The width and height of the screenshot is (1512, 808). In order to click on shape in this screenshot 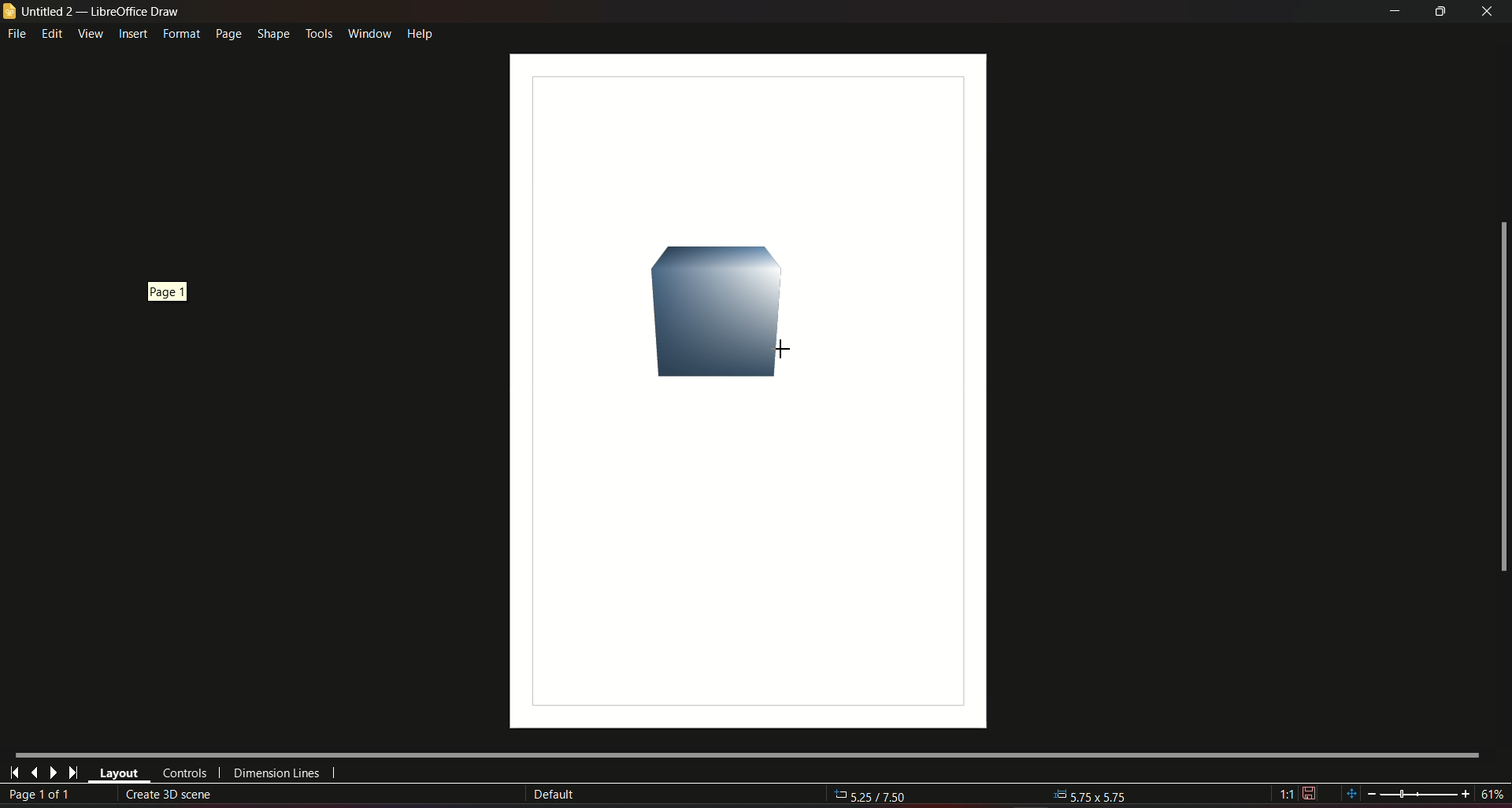, I will do `click(272, 32)`.